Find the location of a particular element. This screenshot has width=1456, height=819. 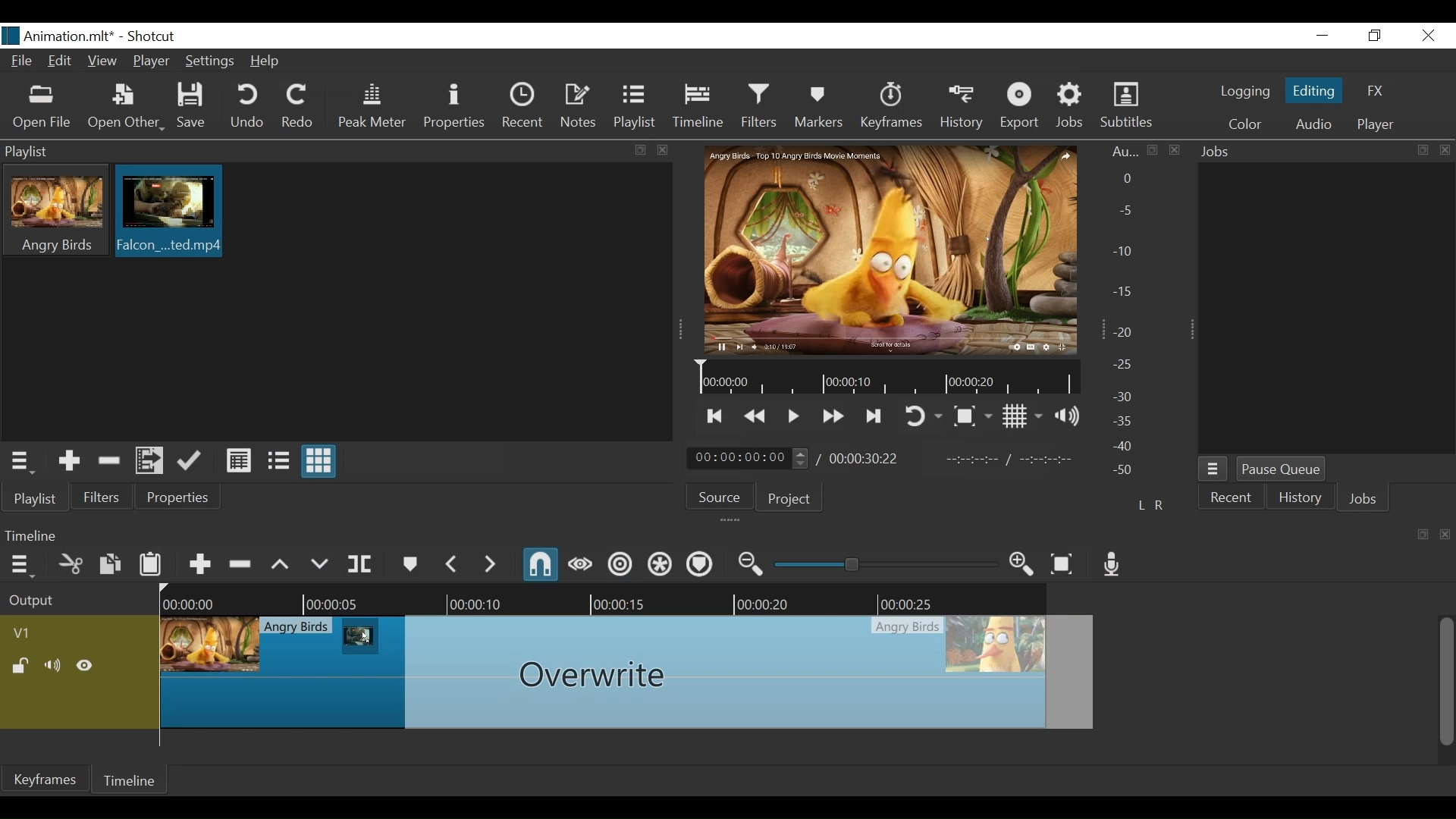

Timeline is located at coordinates (700, 107).